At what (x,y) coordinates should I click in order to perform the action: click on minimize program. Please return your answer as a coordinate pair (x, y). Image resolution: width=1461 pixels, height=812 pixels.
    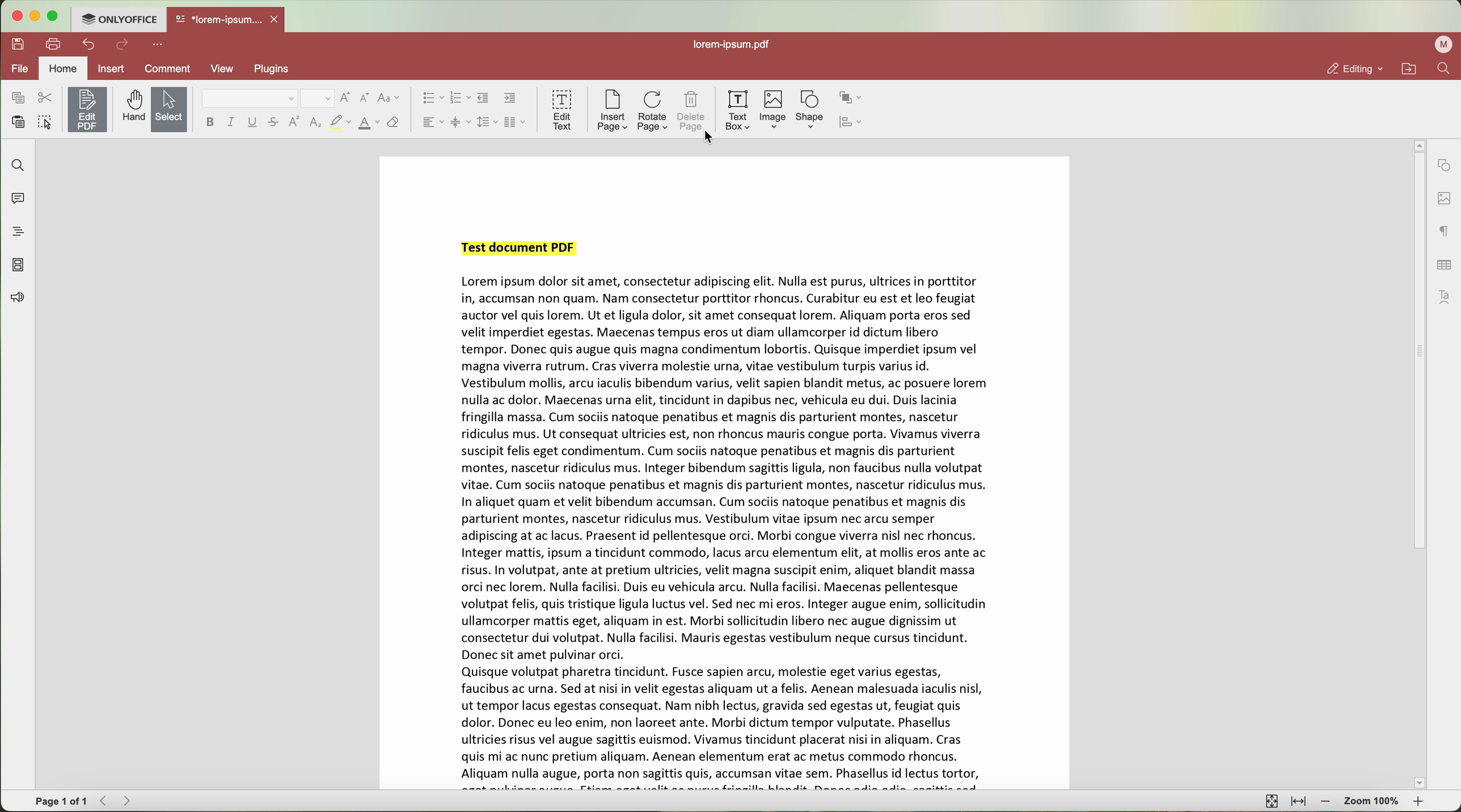
    Looking at the image, I should click on (37, 17).